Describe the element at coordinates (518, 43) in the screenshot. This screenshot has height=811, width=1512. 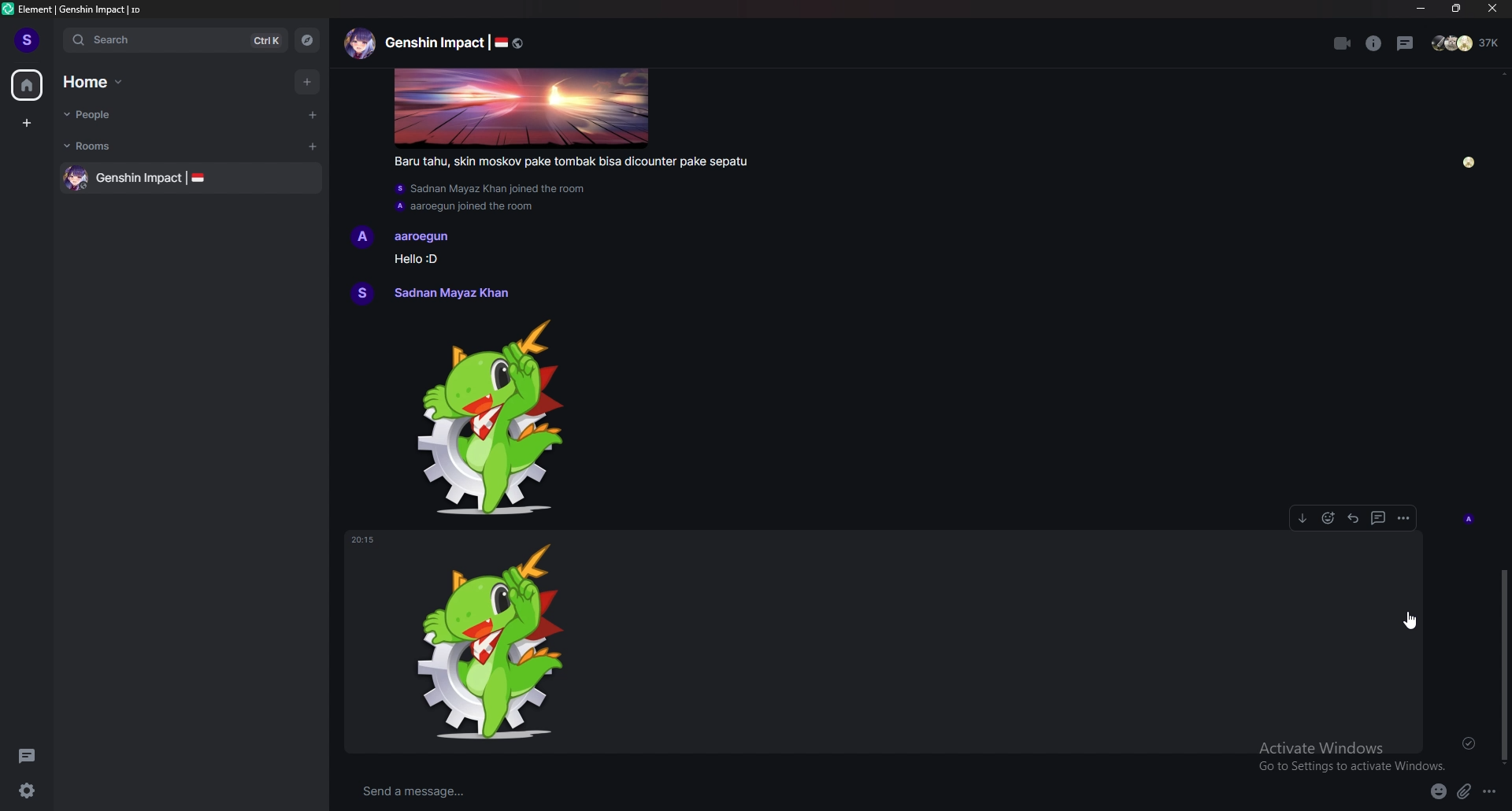
I see `Indicates group is public` at that location.